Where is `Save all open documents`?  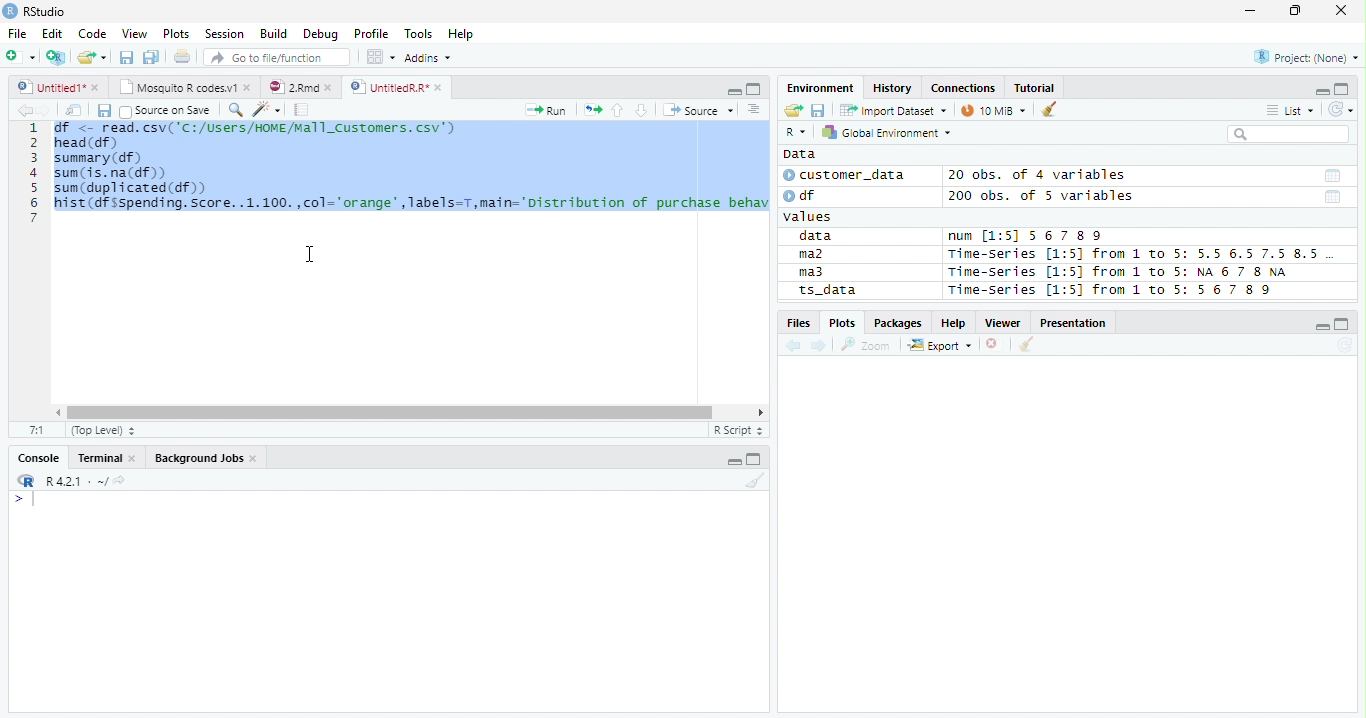 Save all open documents is located at coordinates (151, 58).